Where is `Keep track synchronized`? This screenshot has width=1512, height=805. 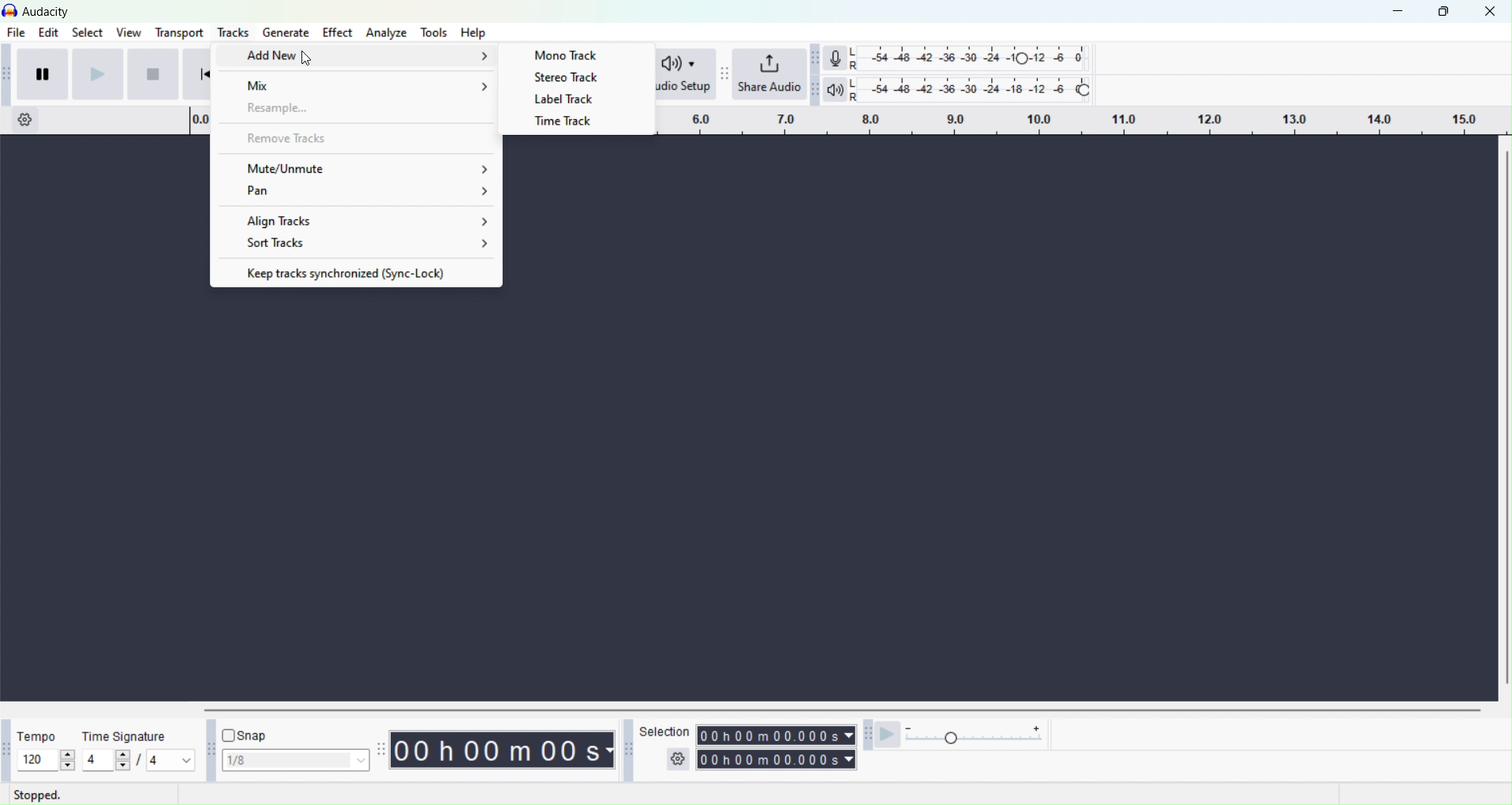 Keep track synchronized is located at coordinates (356, 271).